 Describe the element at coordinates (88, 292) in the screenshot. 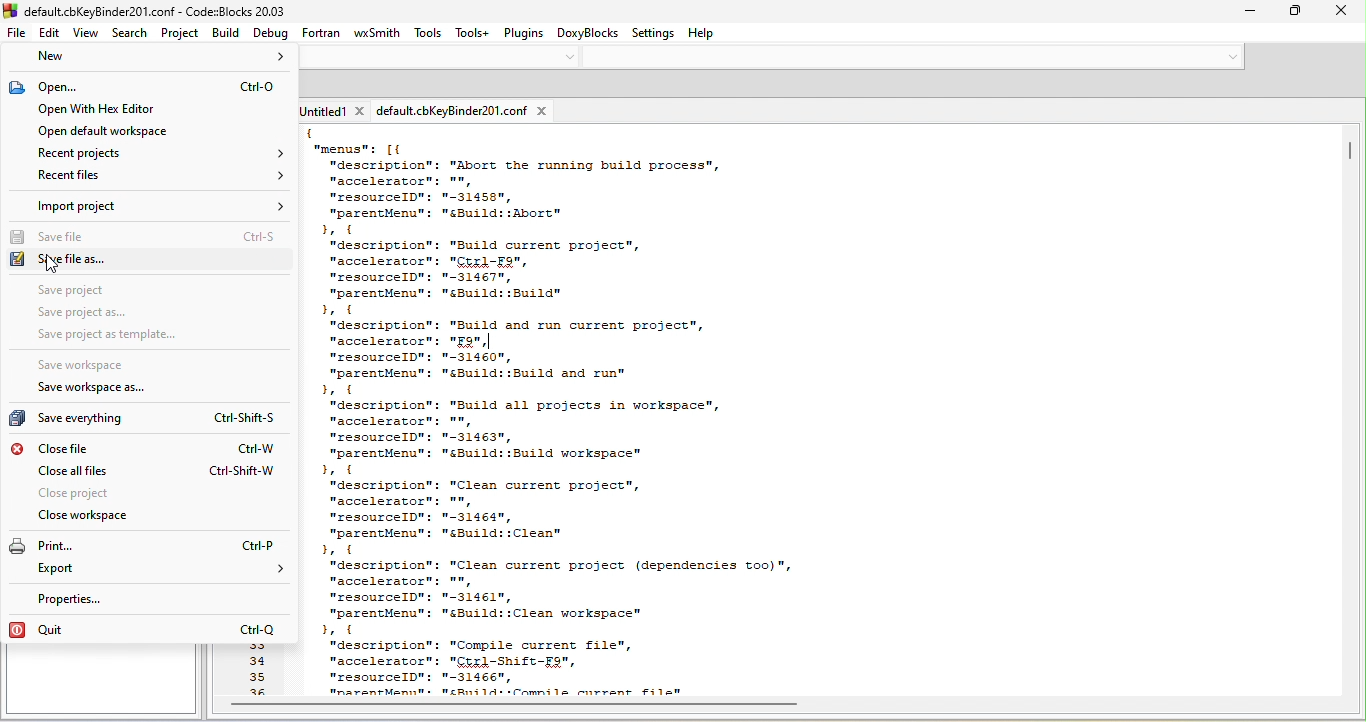

I see `save project` at that location.